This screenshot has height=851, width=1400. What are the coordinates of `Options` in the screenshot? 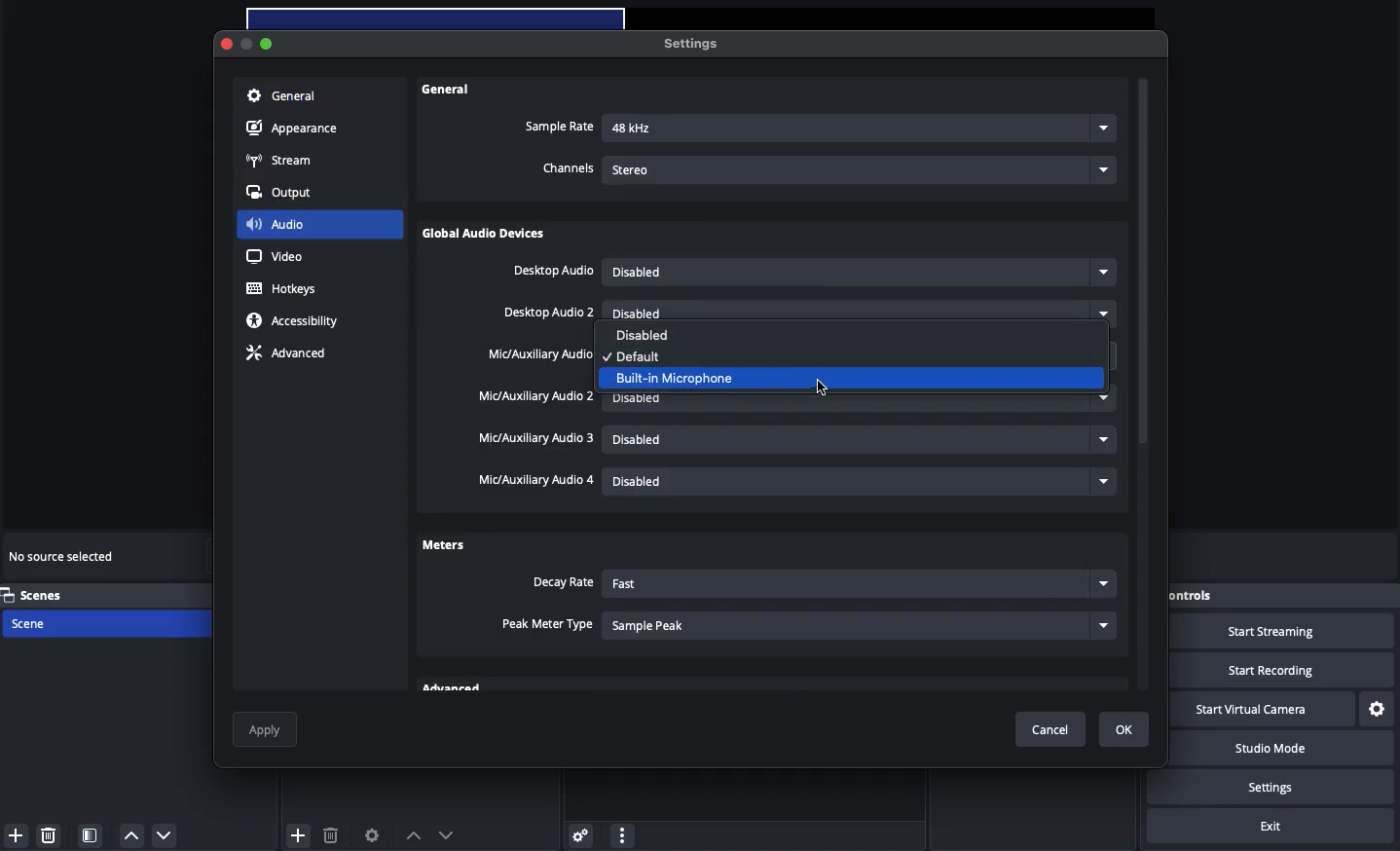 It's located at (622, 832).